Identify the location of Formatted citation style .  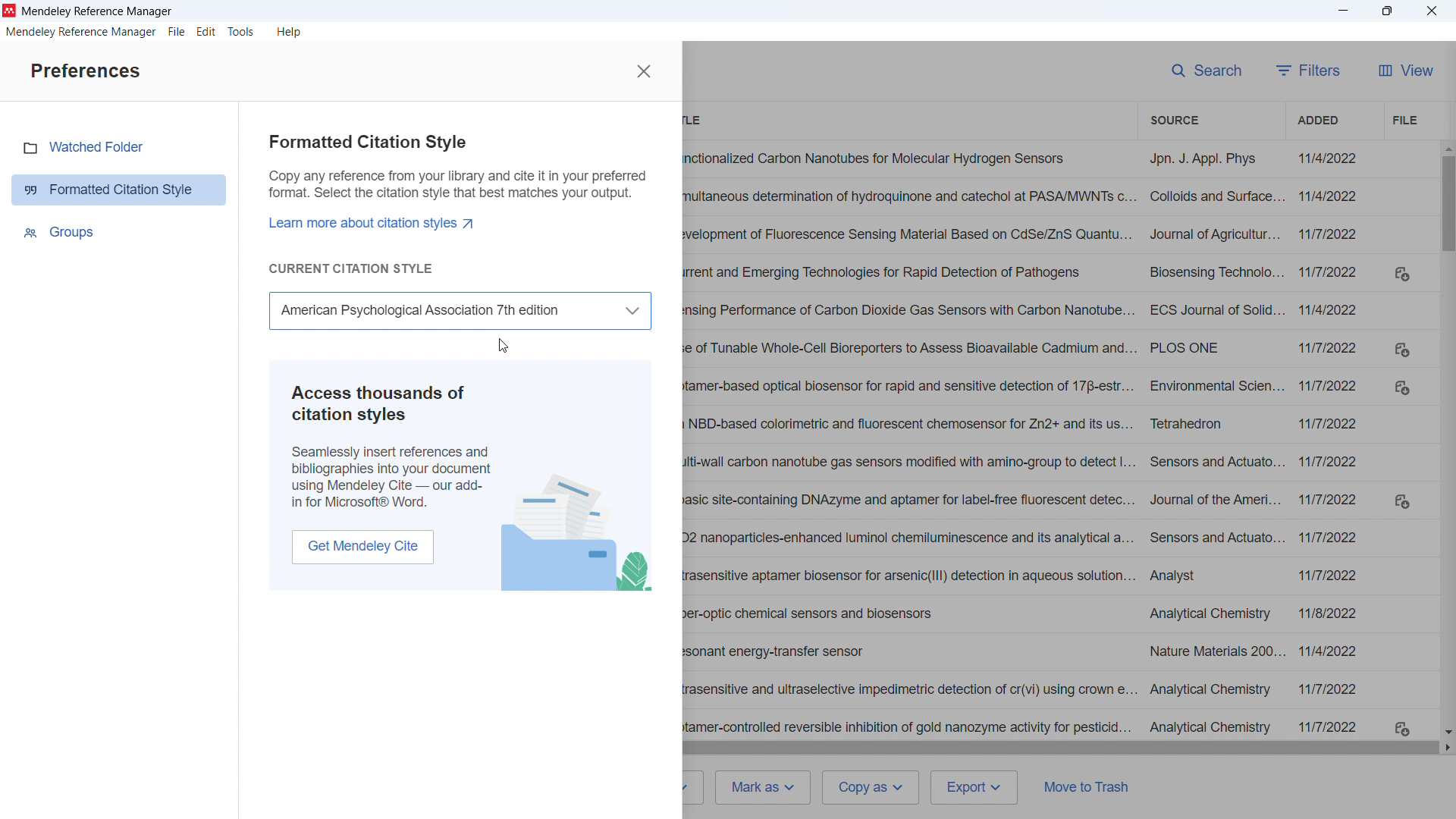
(459, 170).